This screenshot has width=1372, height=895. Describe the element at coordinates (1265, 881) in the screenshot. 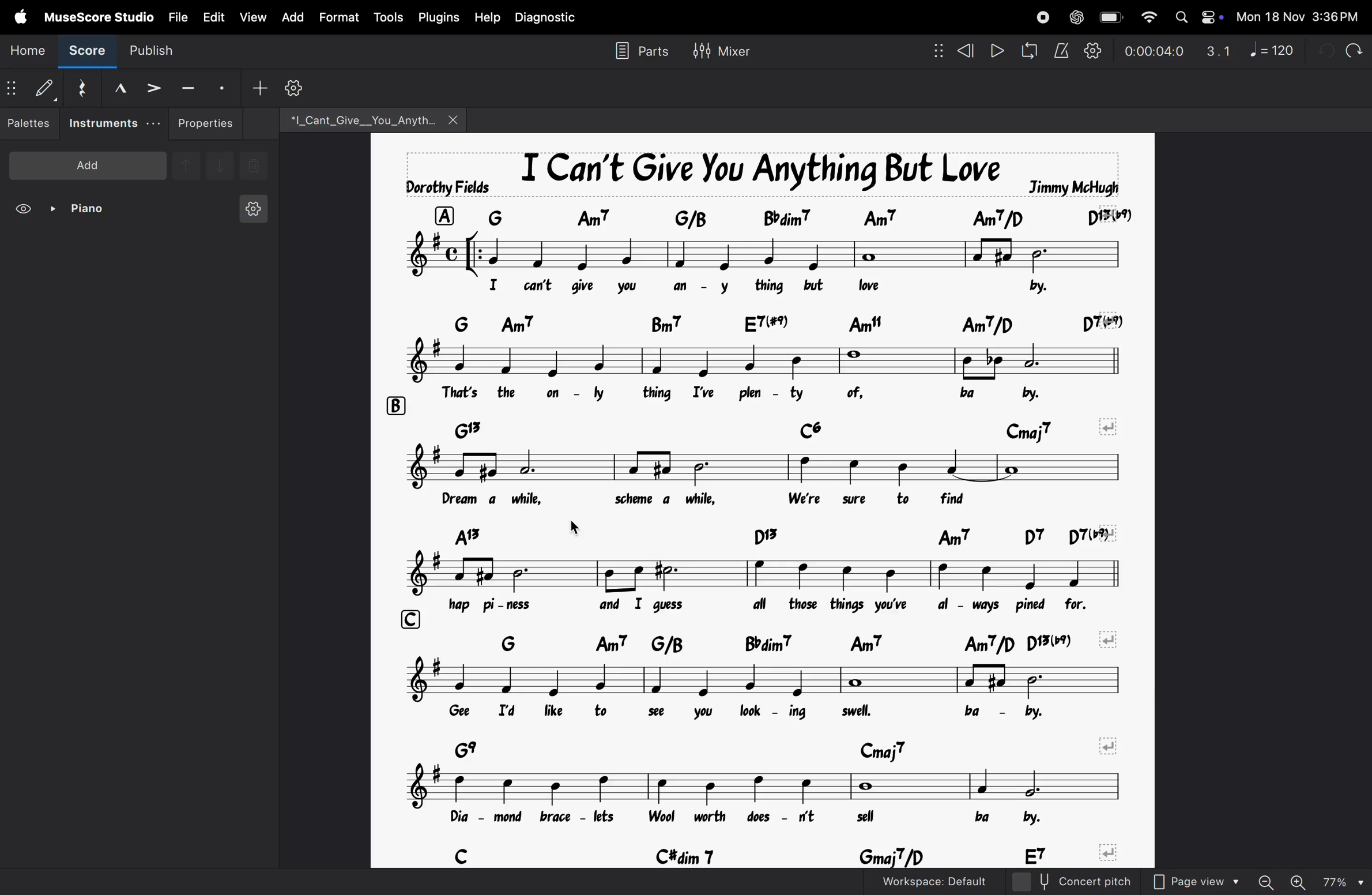

I see `zoom out` at that location.